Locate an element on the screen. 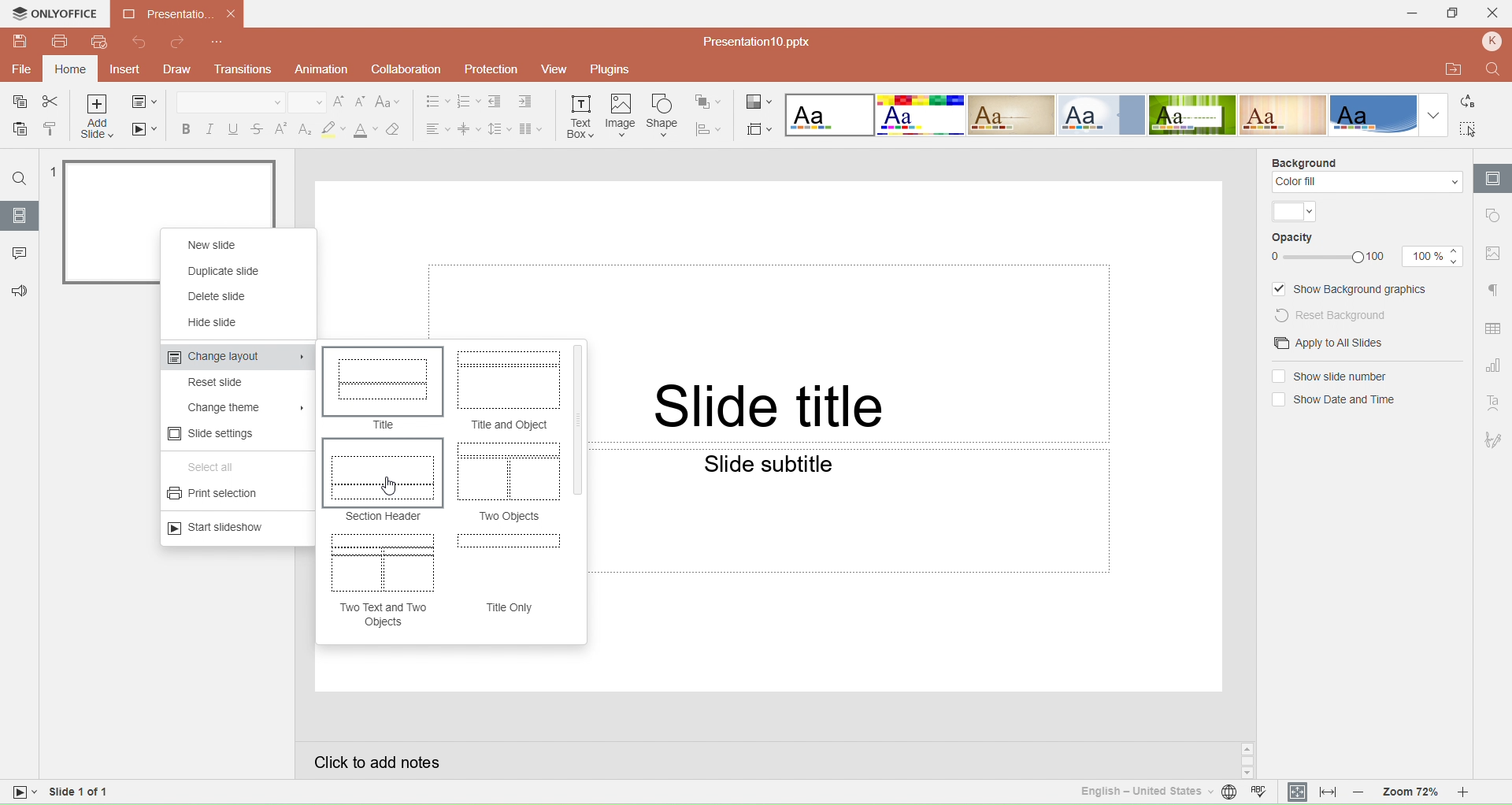 The height and width of the screenshot is (805, 1512). Slide setting is located at coordinates (1492, 178).